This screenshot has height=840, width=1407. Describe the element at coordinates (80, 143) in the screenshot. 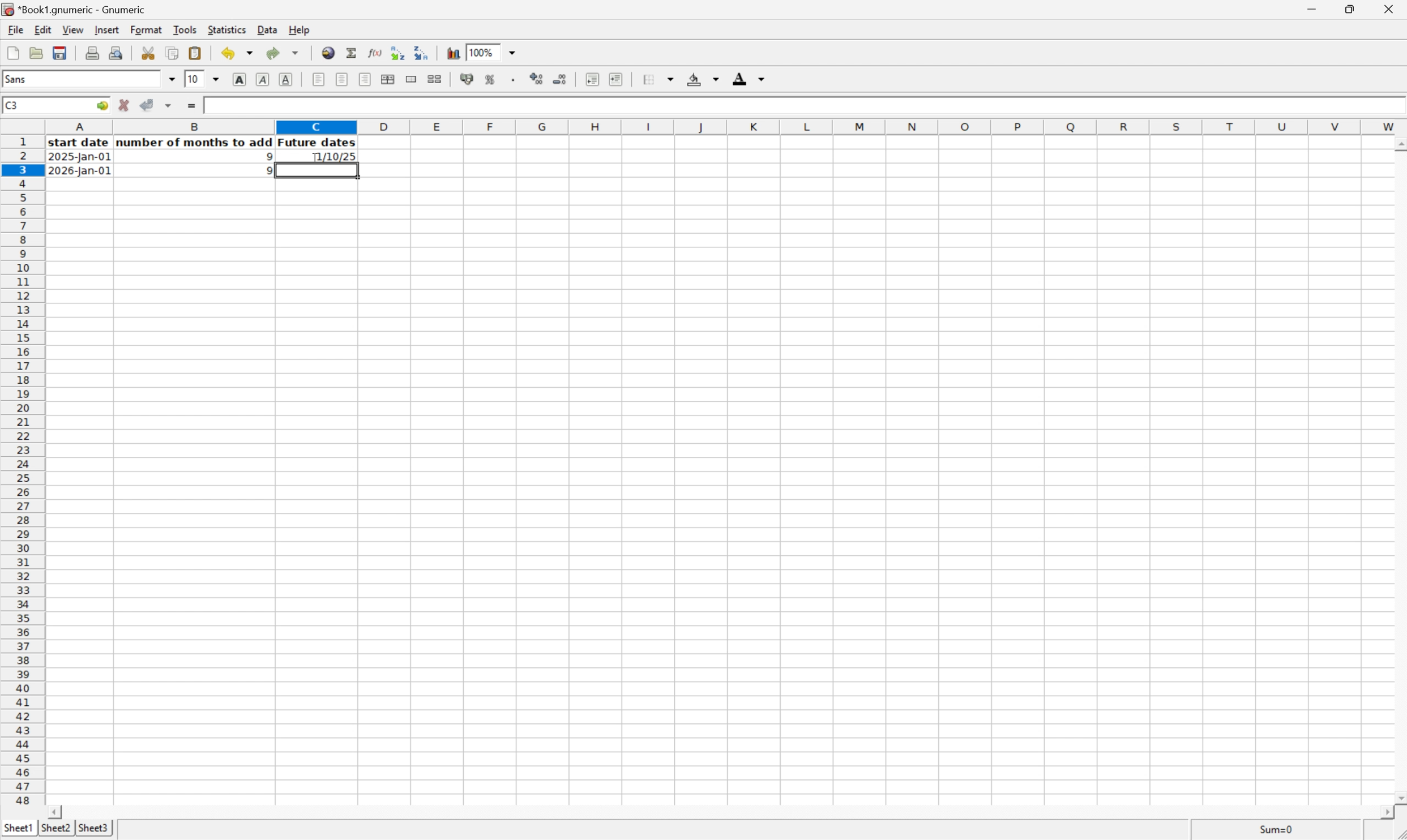

I see `start date` at that location.